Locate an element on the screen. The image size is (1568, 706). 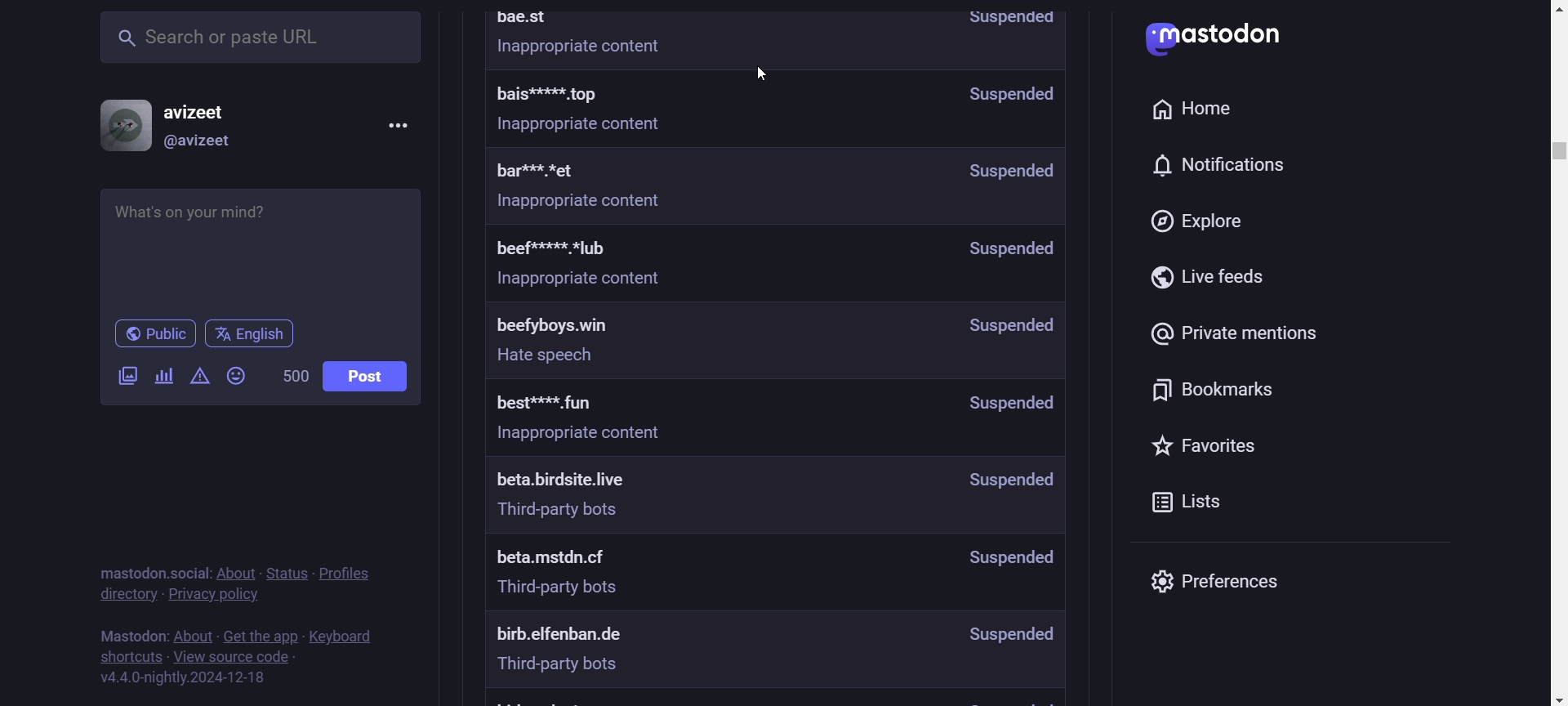
menu is located at coordinates (395, 124).